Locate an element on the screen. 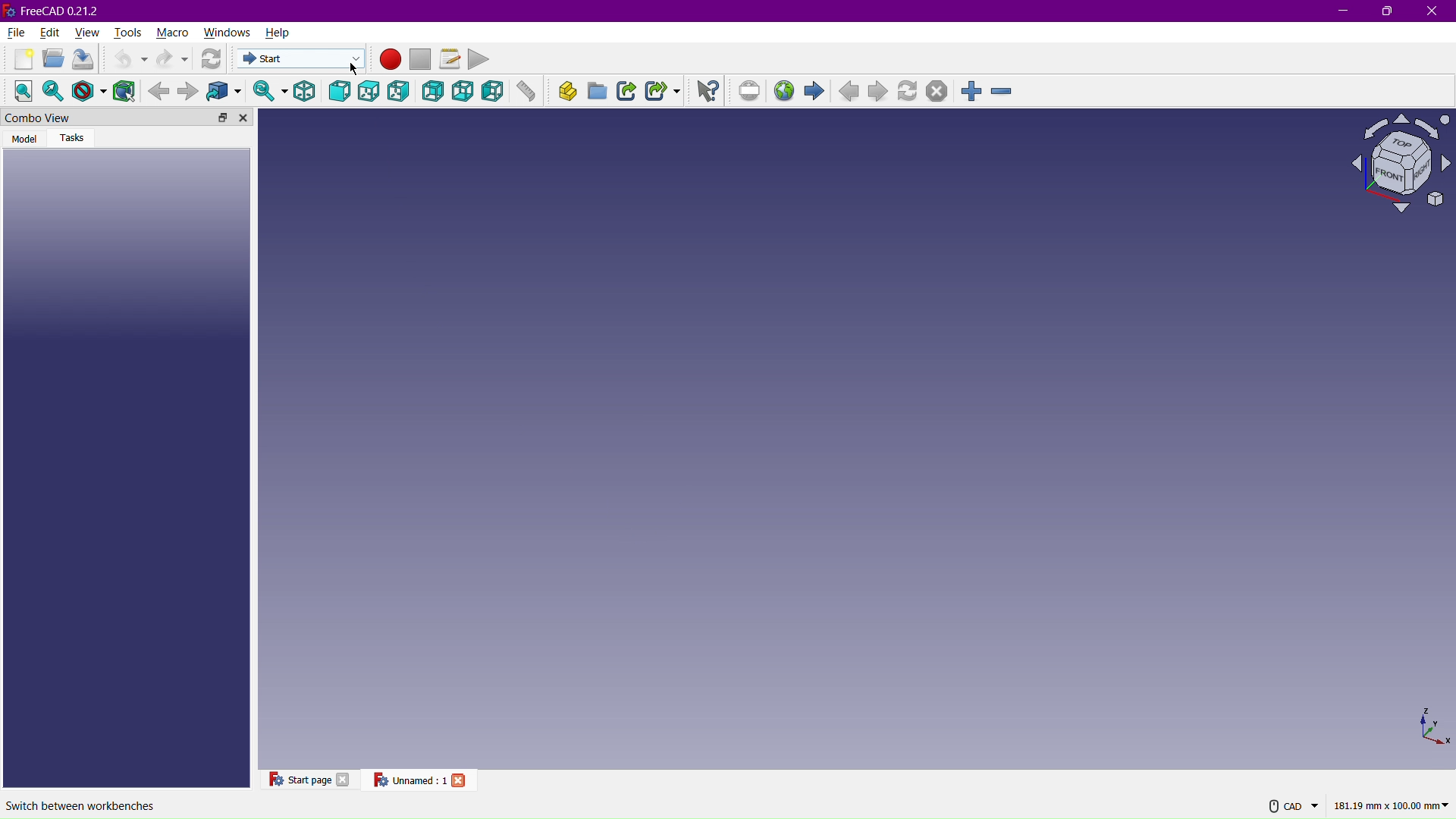 This screenshot has height=819, width=1456. Change the draw style is located at coordinates (88, 90).